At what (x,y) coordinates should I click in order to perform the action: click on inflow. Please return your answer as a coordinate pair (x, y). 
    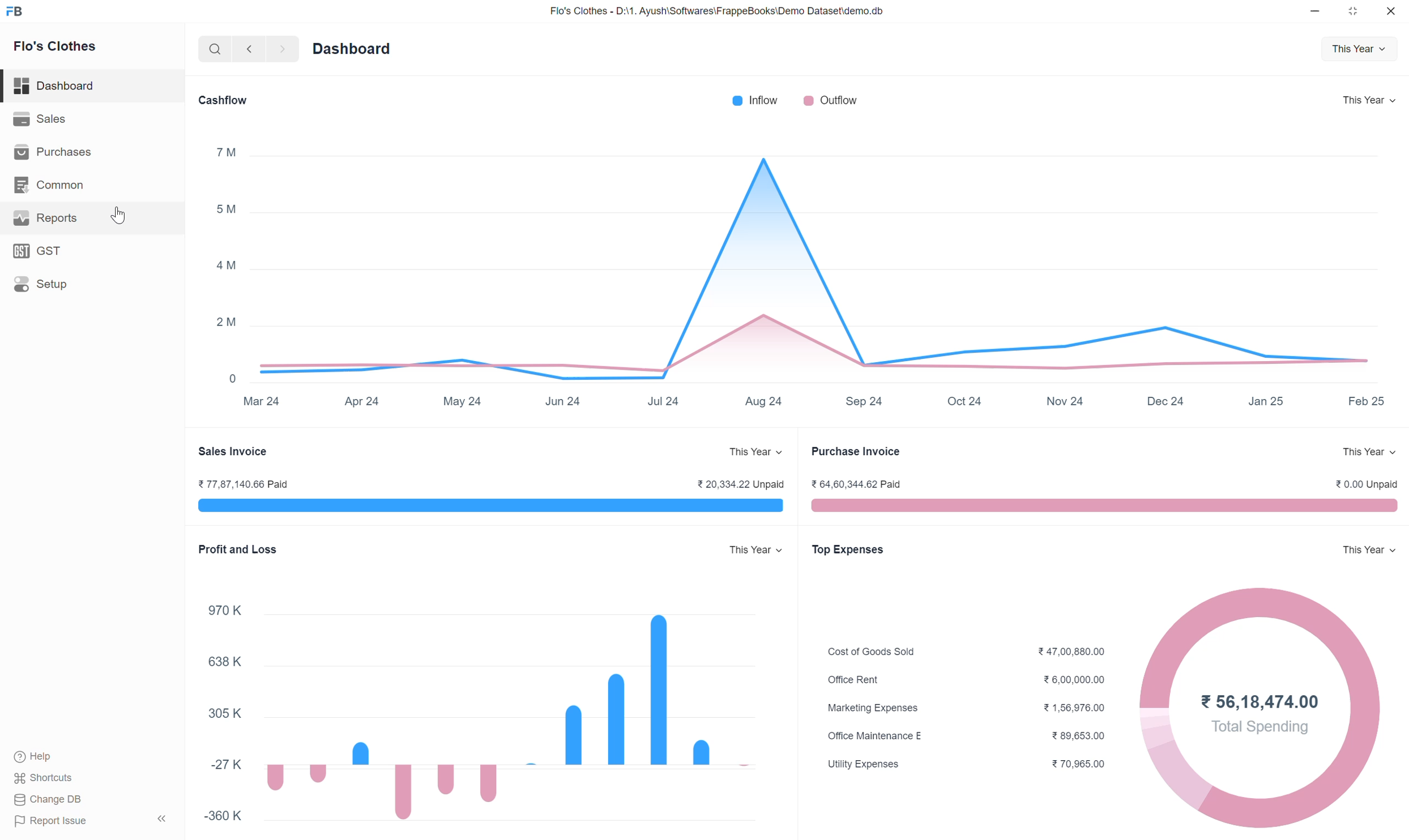
    Looking at the image, I should click on (757, 102).